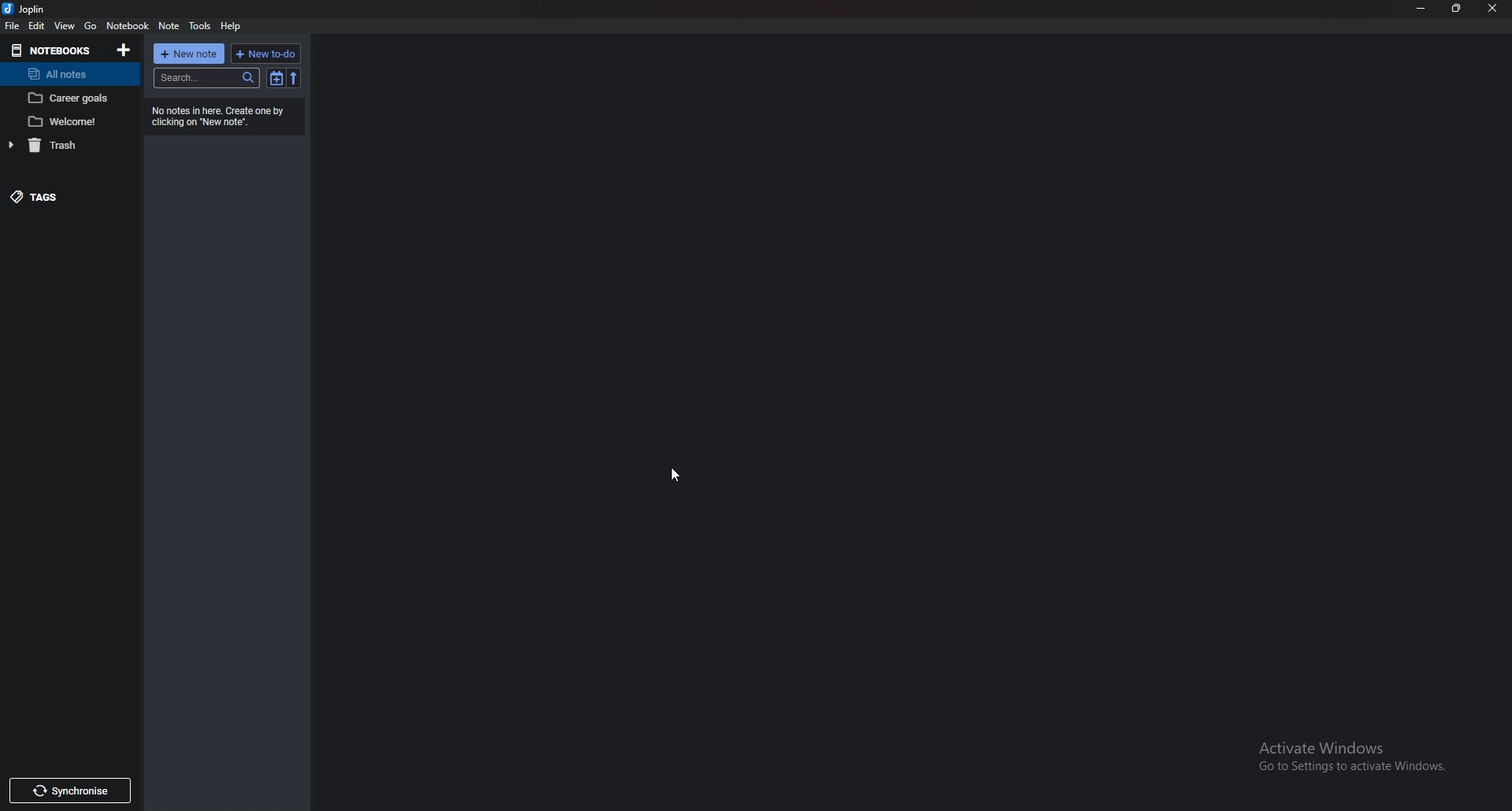 This screenshot has height=811, width=1512. What do you see at coordinates (293, 78) in the screenshot?
I see `reverse sort order` at bounding box center [293, 78].